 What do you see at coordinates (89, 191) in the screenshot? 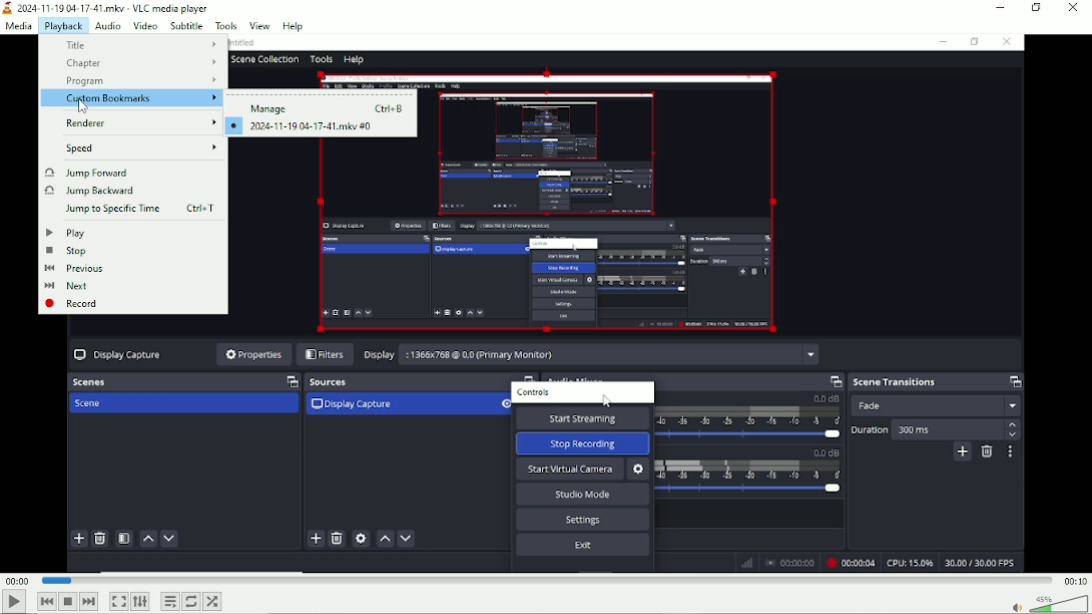
I see `Jump backward` at bounding box center [89, 191].